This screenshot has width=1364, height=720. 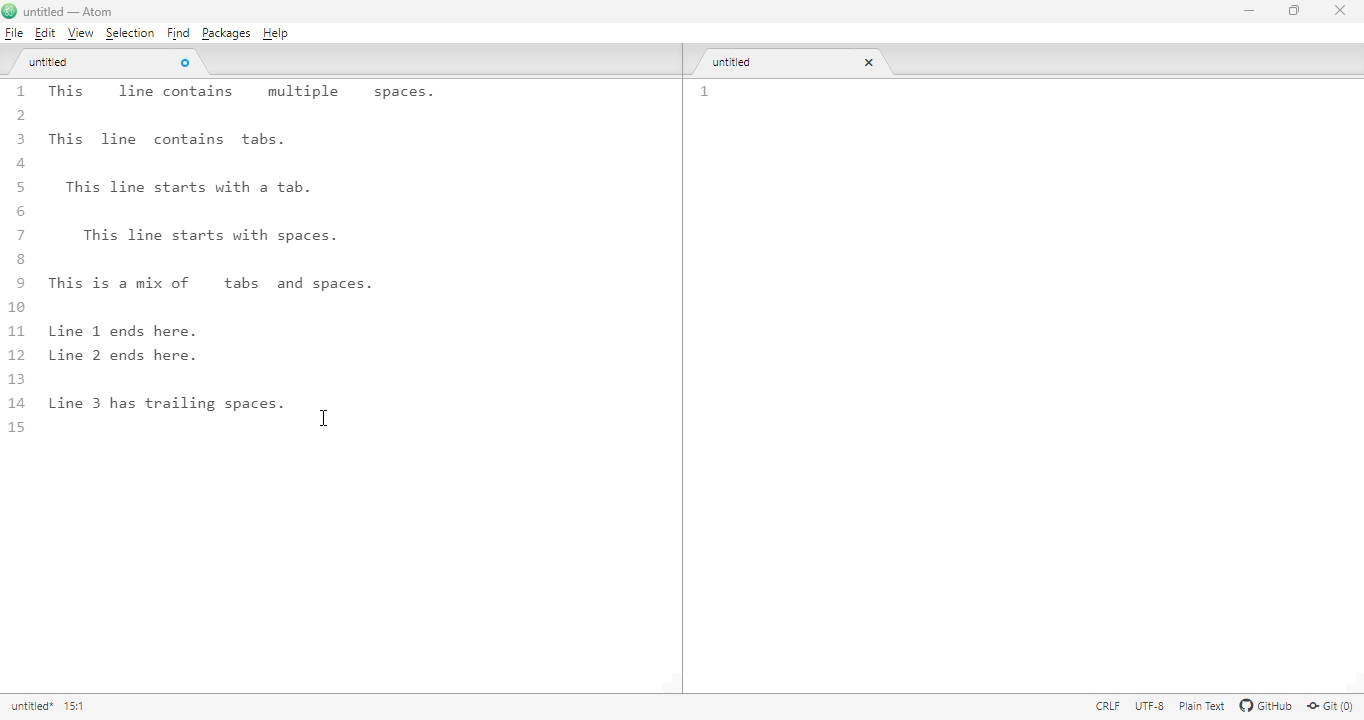 I want to click on view, so click(x=80, y=34).